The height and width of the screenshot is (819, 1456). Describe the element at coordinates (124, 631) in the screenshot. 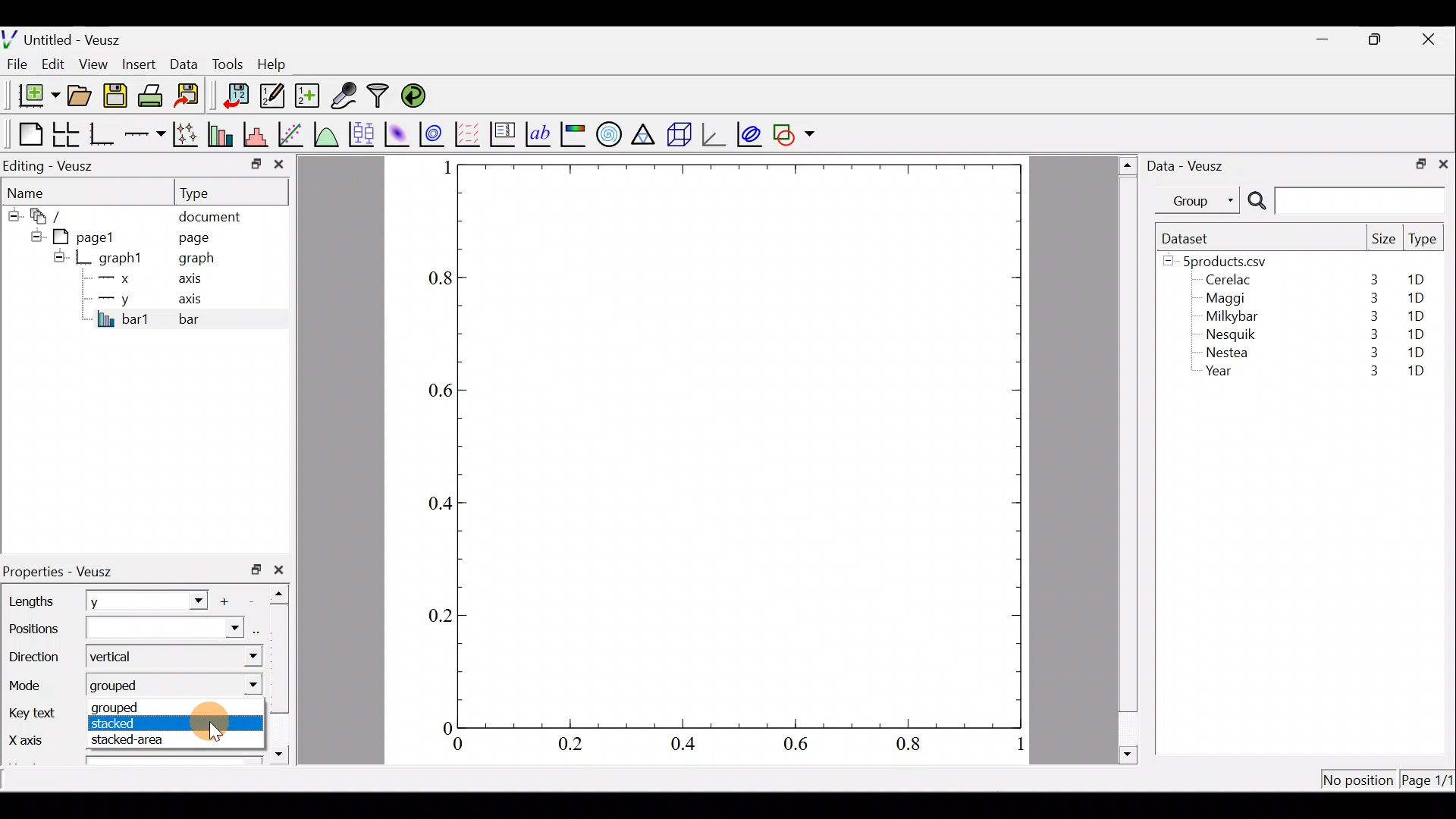

I see `Positions` at that location.